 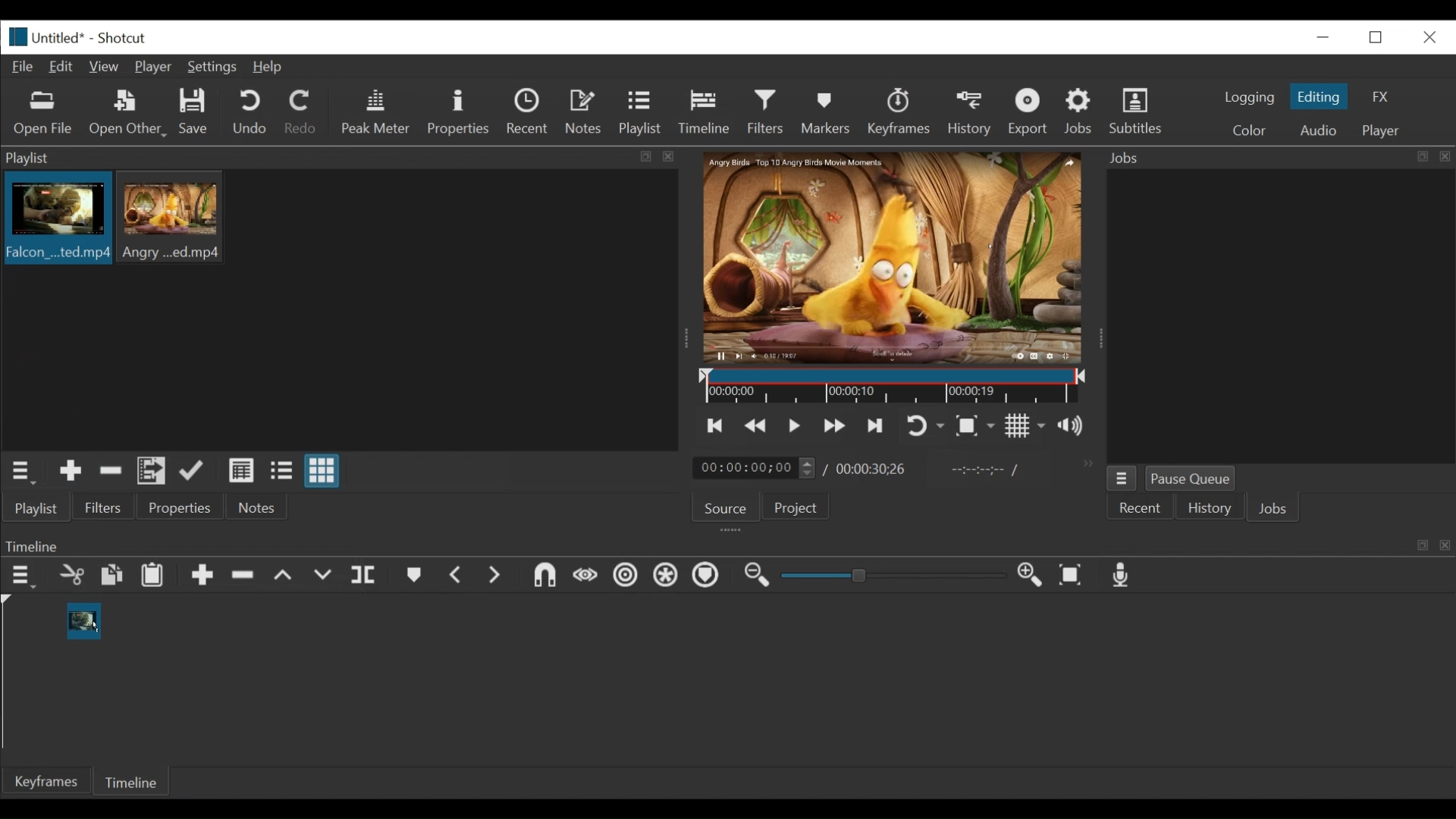 What do you see at coordinates (134, 780) in the screenshot?
I see `Timeline` at bounding box center [134, 780].